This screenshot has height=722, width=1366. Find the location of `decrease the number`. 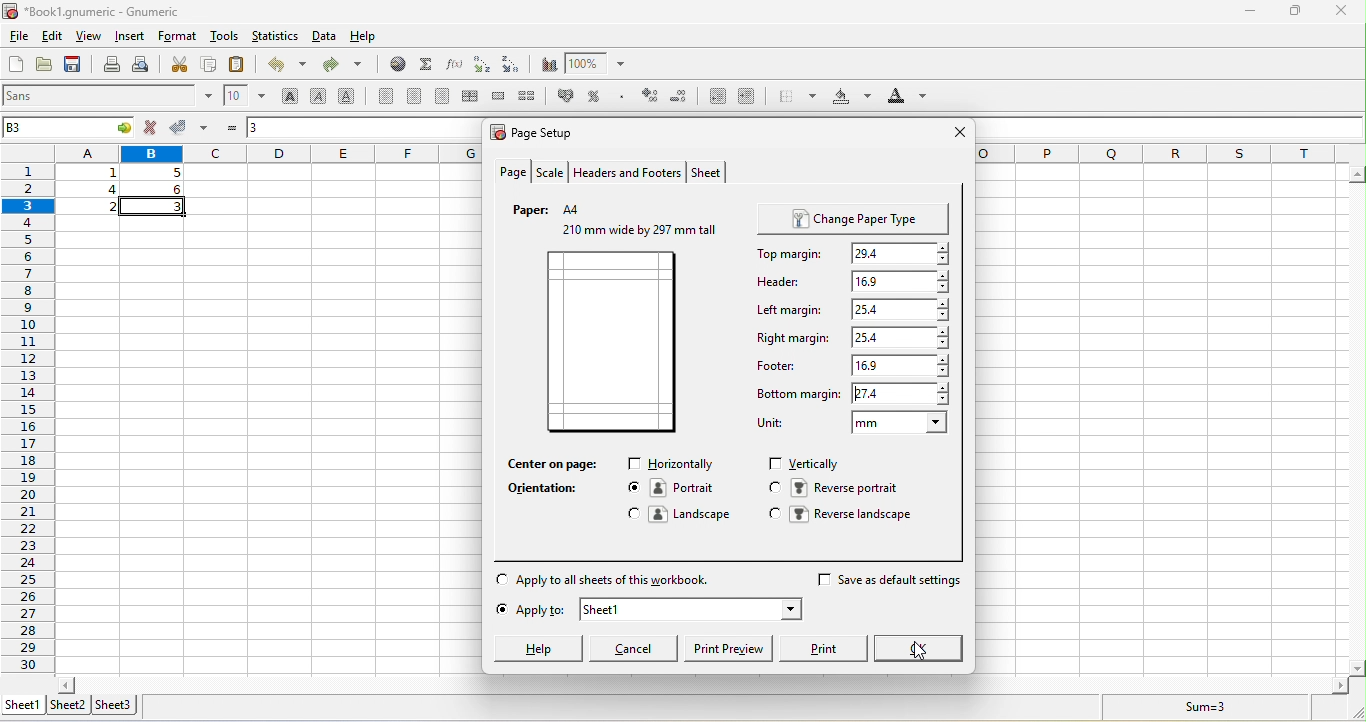

decrease the number is located at coordinates (681, 98).